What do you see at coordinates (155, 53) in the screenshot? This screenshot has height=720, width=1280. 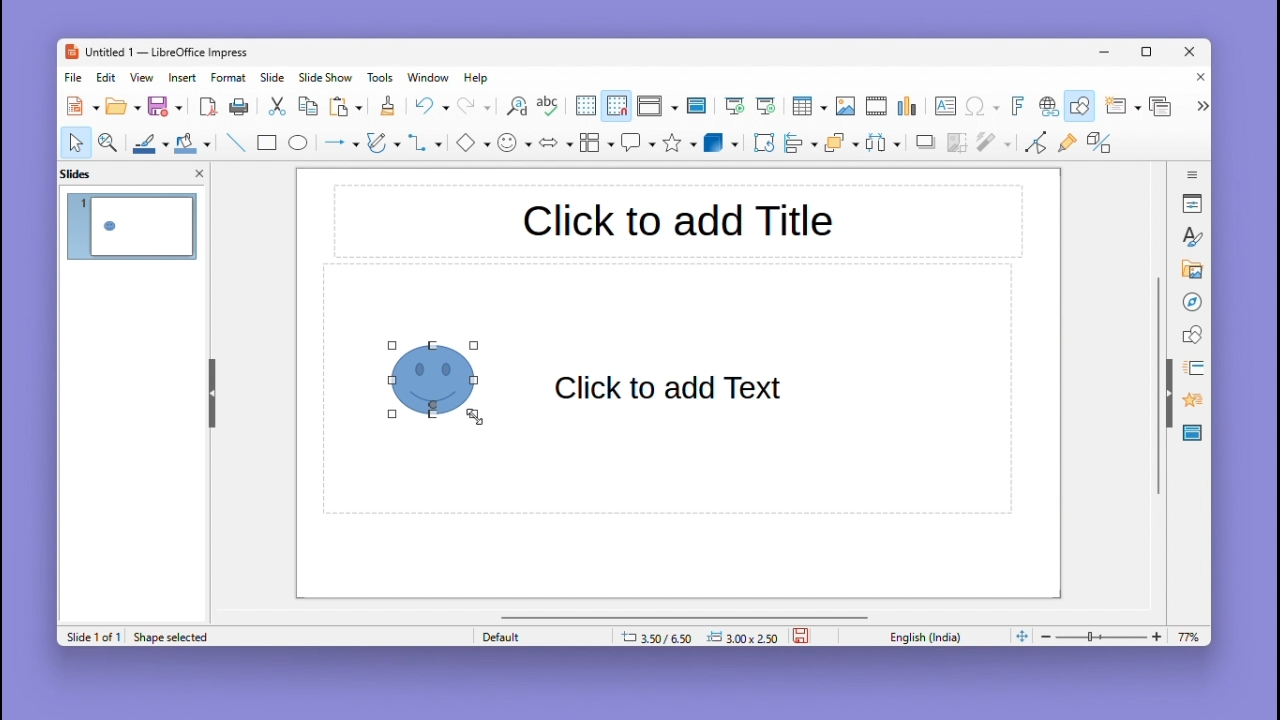 I see `File name` at bounding box center [155, 53].